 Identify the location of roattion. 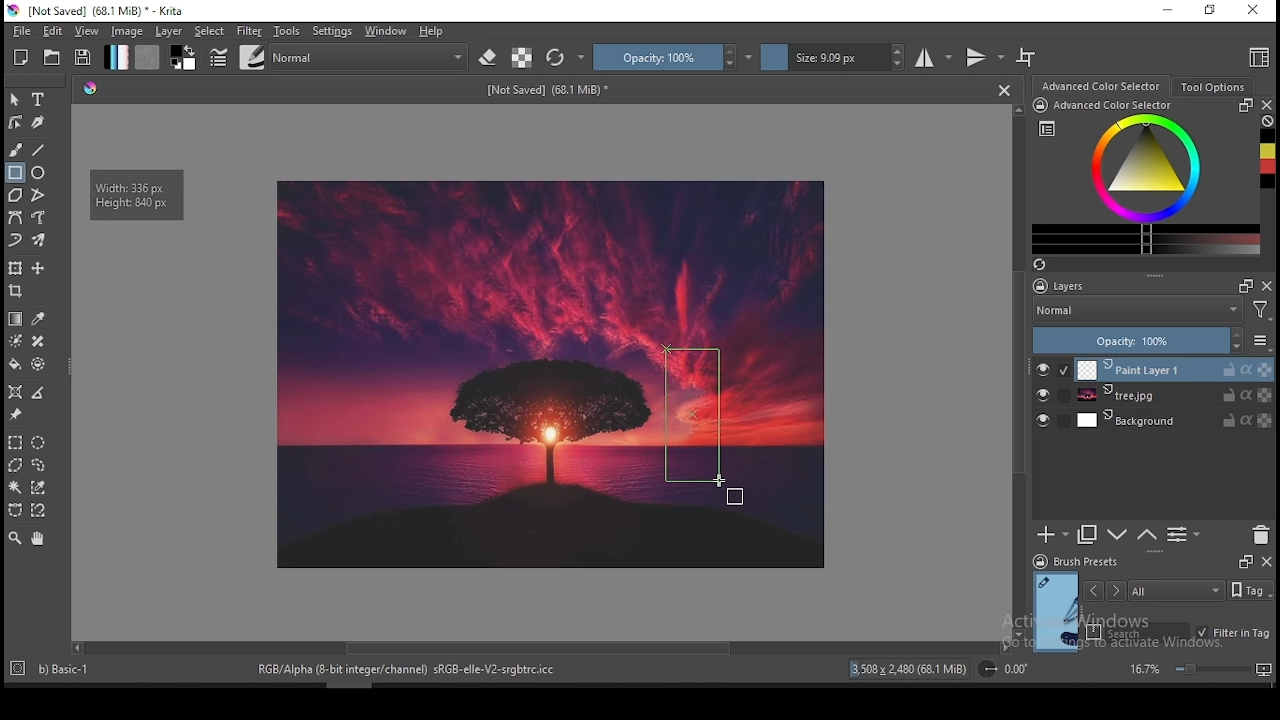
(1001, 669).